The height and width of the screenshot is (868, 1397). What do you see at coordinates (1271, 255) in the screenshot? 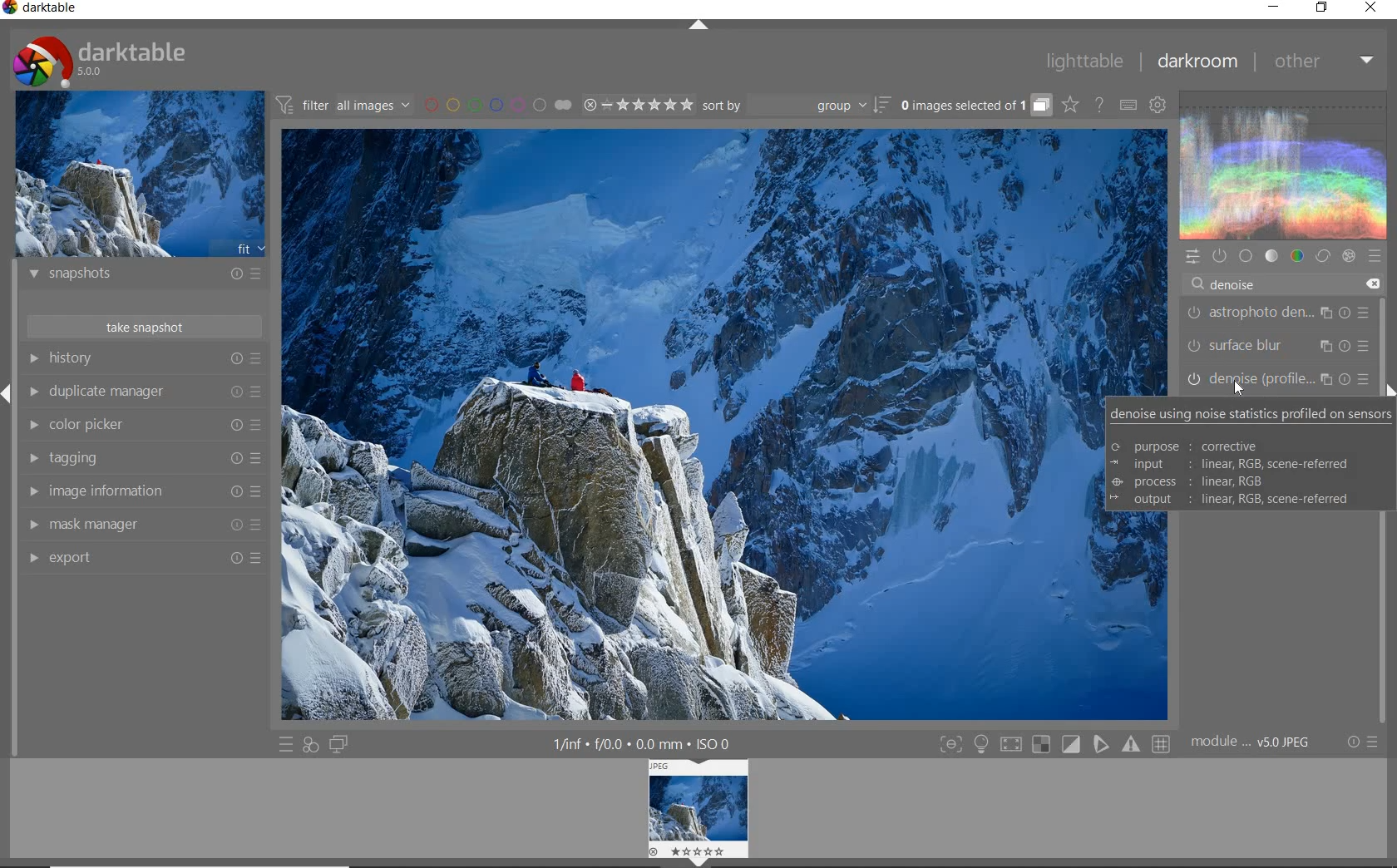
I see `tone` at bounding box center [1271, 255].